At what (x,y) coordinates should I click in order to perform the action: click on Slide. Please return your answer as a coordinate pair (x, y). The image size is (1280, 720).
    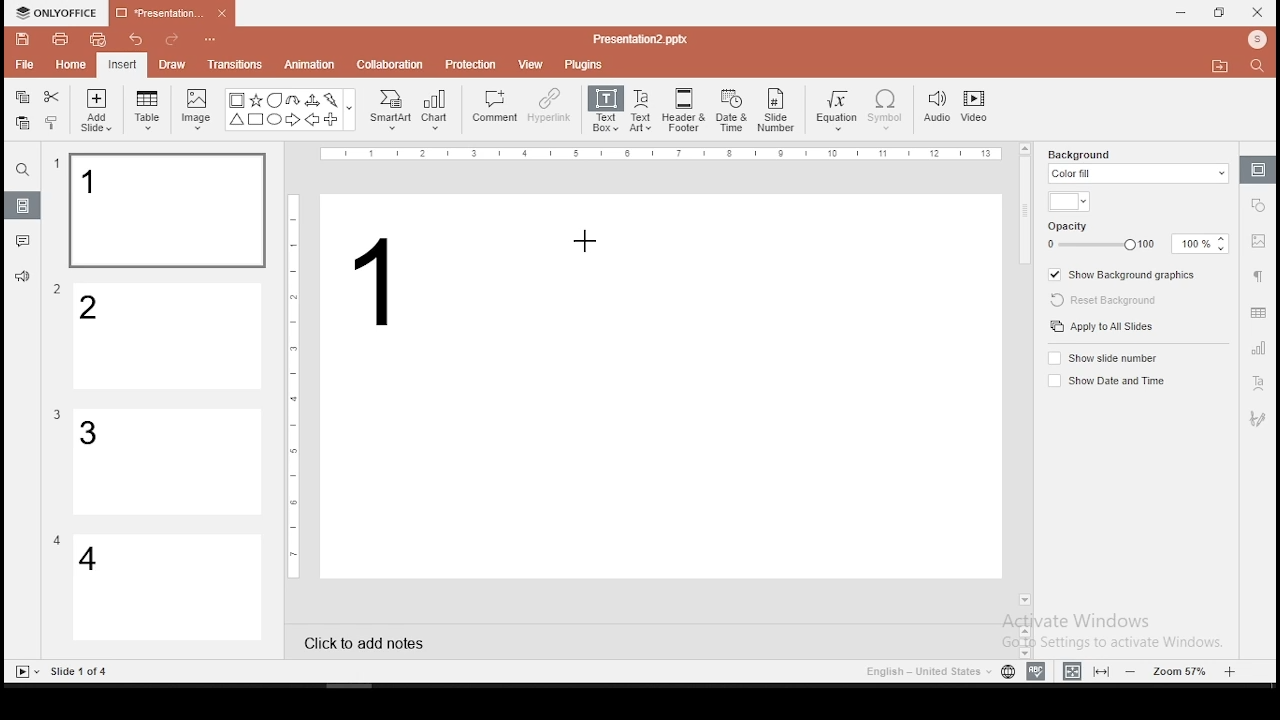
    Looking at the image, I should click on (23, 672).